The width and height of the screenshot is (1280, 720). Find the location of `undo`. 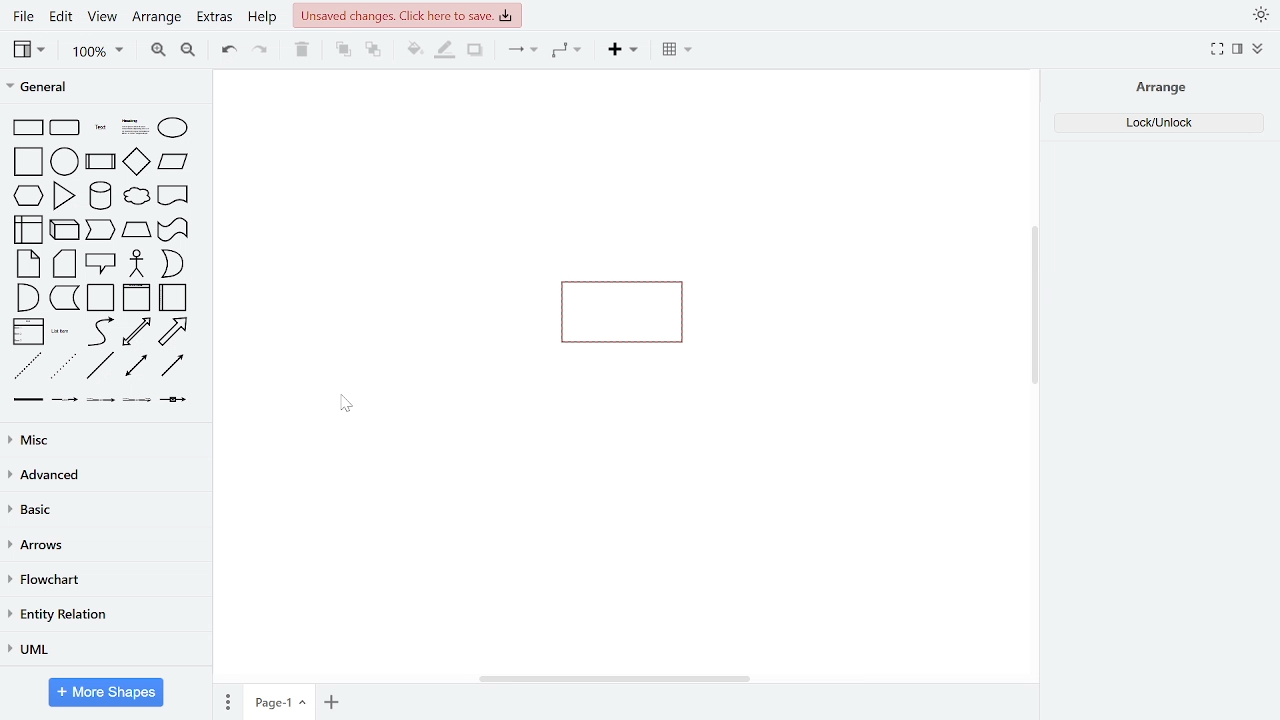

undo is located at coordinates (226, 50).